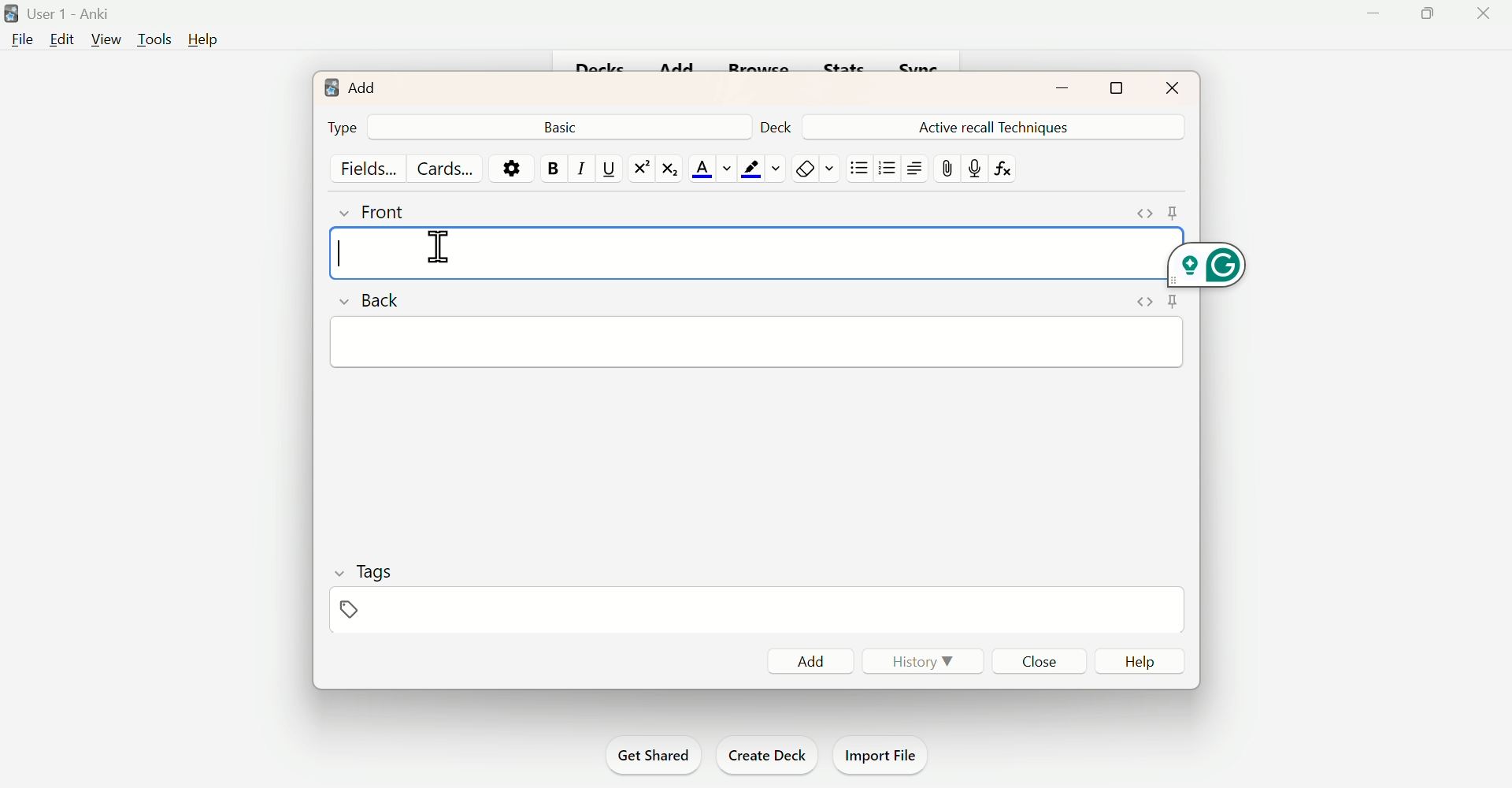 The height and width of the screenshot is (788, 1512). Describe the element at coordinates (1482, 13) in the screenshot. I see `Close` at that location.